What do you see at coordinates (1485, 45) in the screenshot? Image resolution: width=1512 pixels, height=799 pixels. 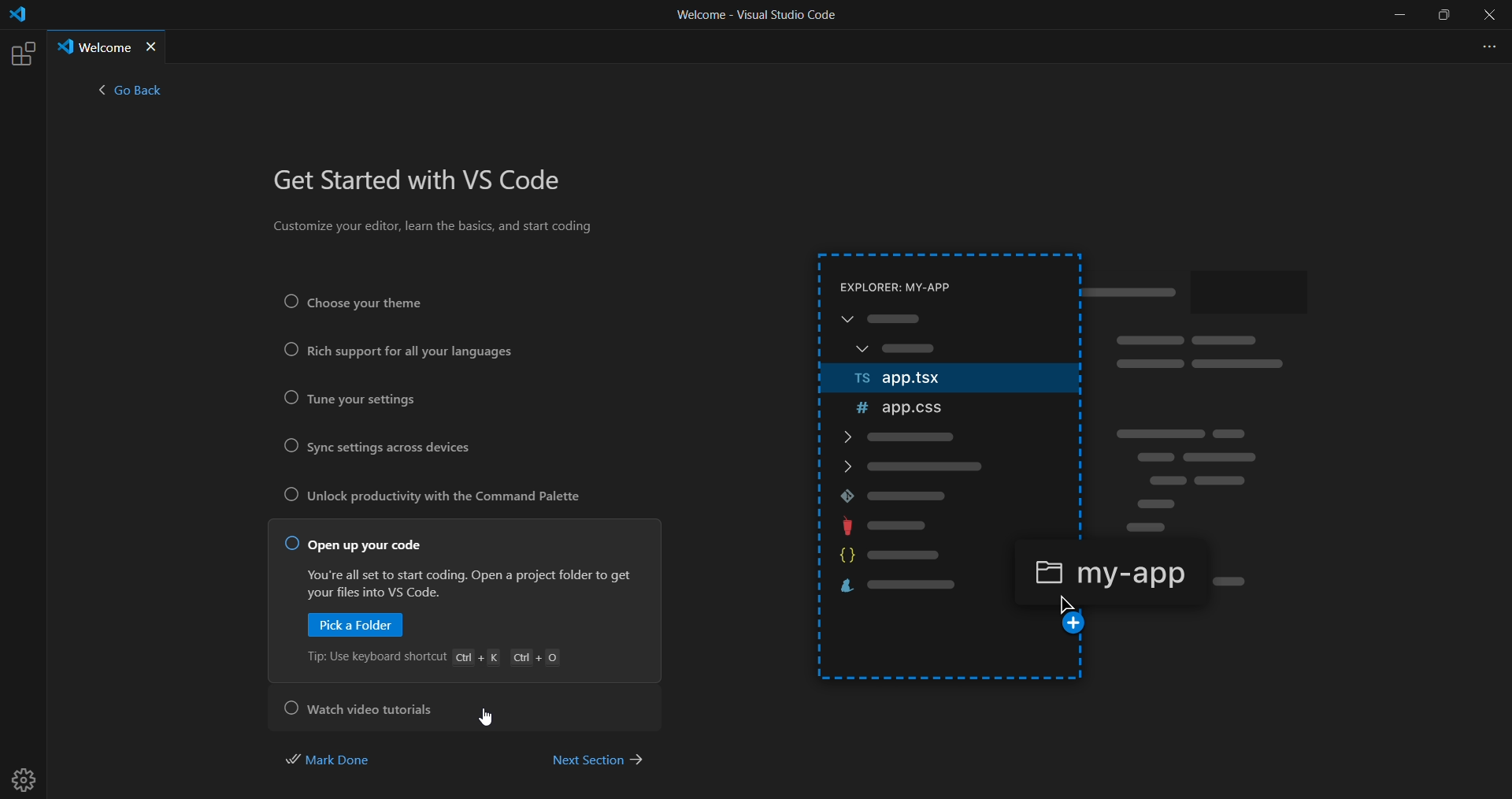 I see `more` at bounding box center [1485, 45].